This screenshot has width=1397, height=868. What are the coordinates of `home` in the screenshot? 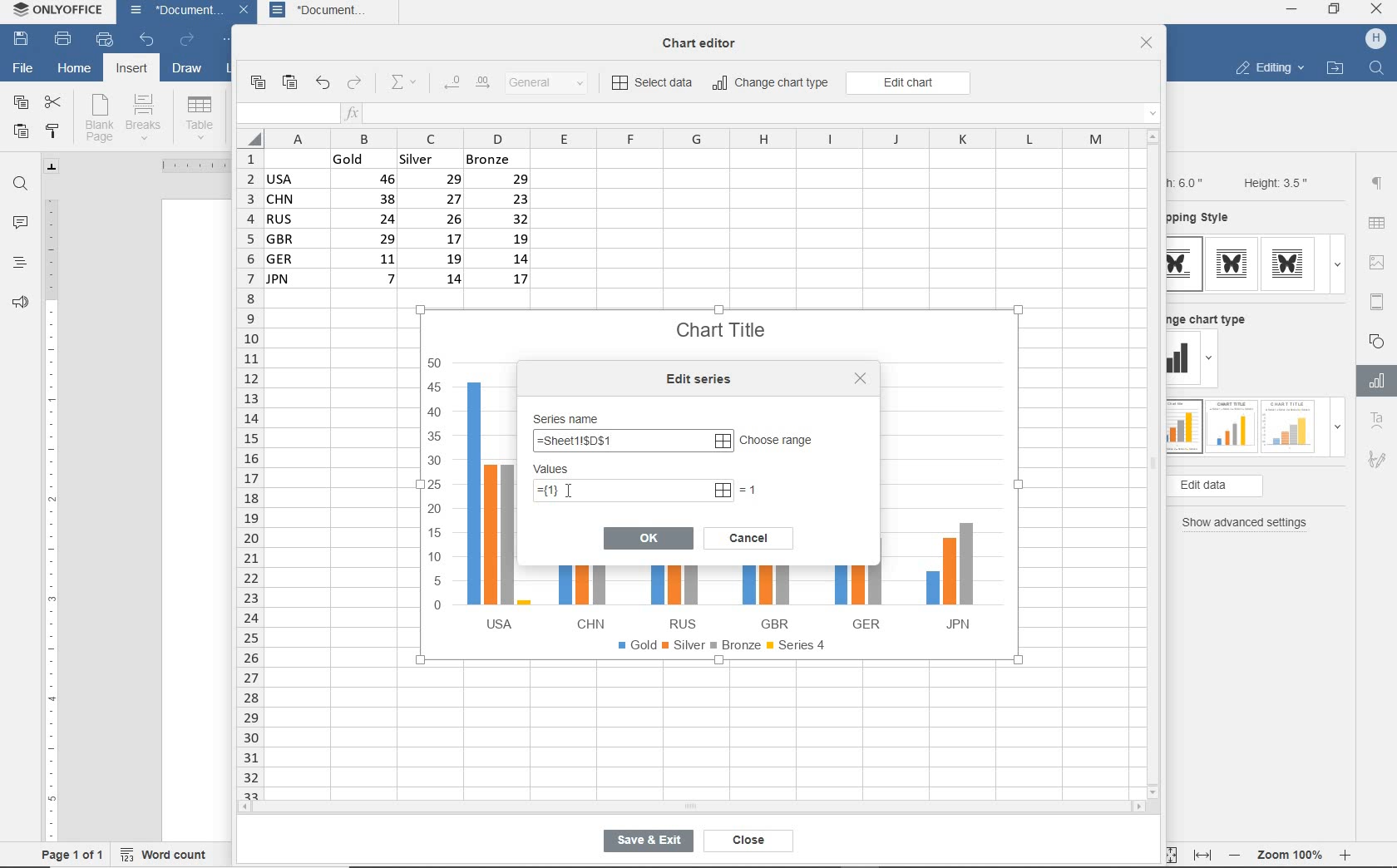 It's located at (74, 71).